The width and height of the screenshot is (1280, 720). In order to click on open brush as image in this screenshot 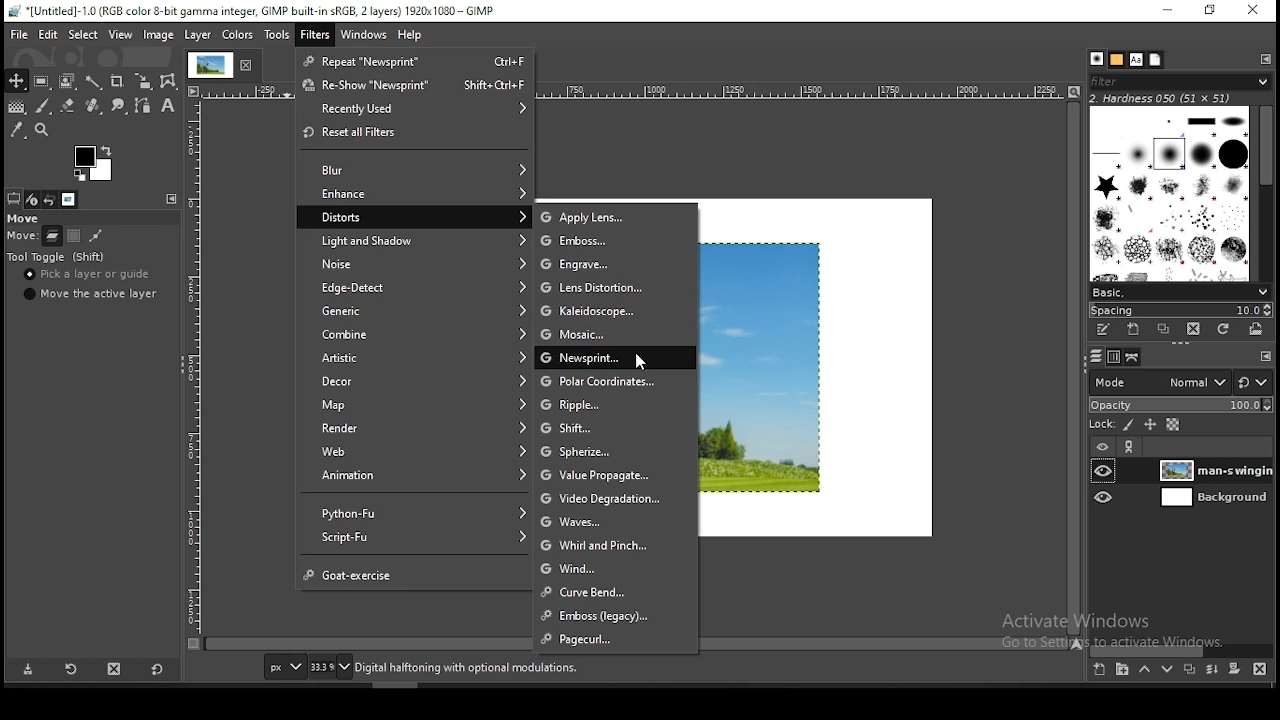, I will do `click(1260, 332)`.